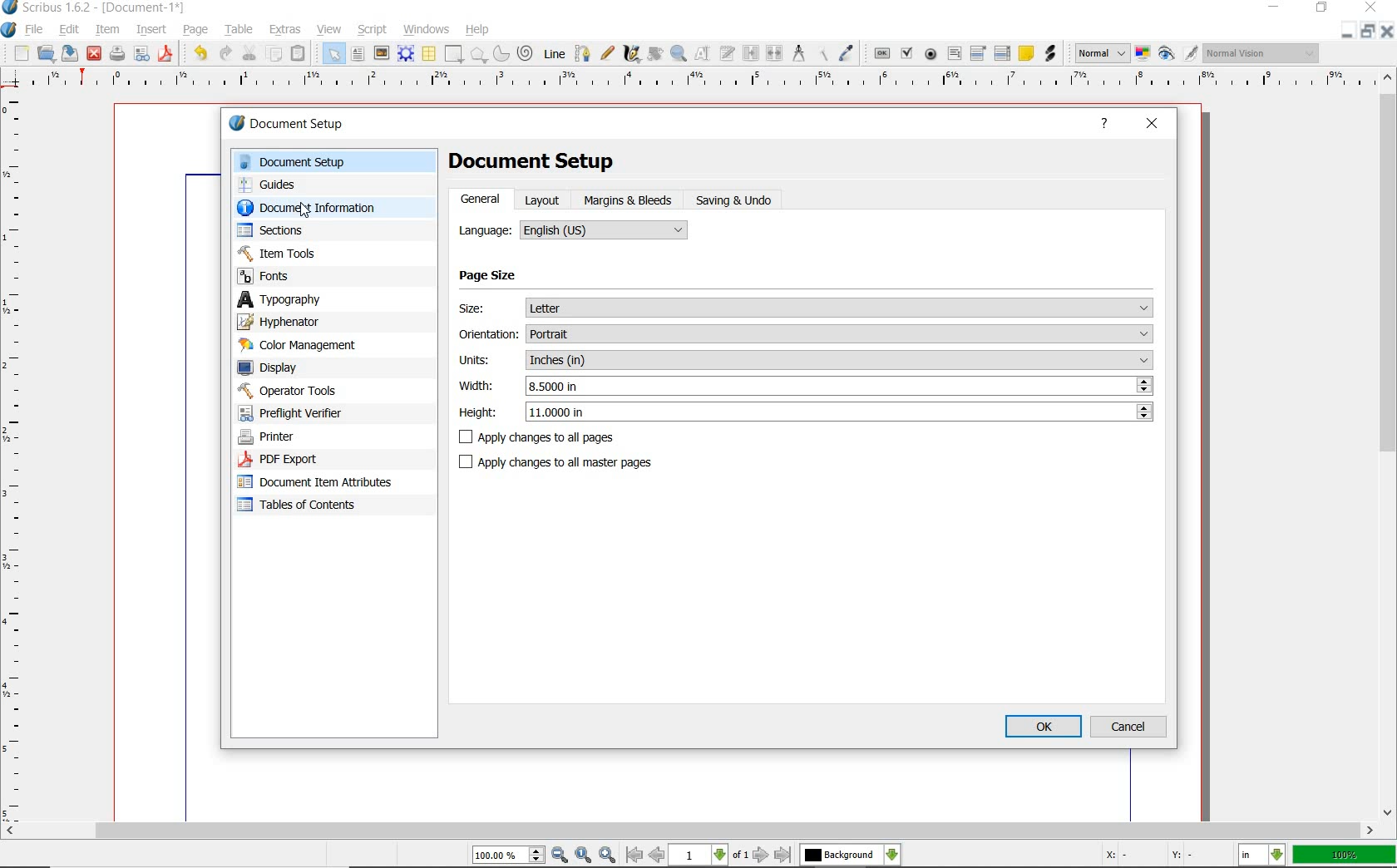 The width and height of the screenshot is (1397, 868). I want to click on pdf list box, so click(1001, 53).